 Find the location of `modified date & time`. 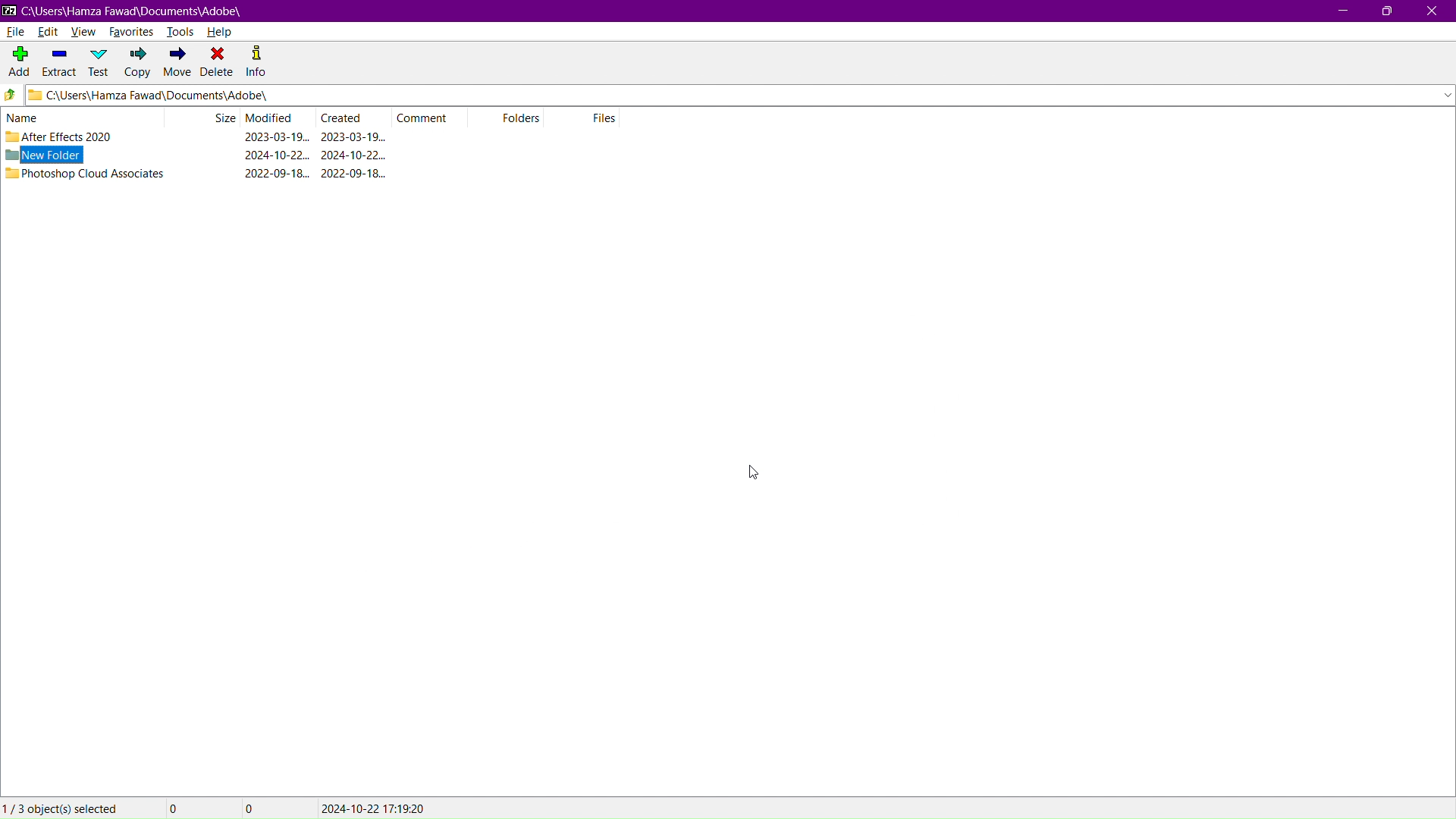

modified date & time is located at coordinates (276, 137).